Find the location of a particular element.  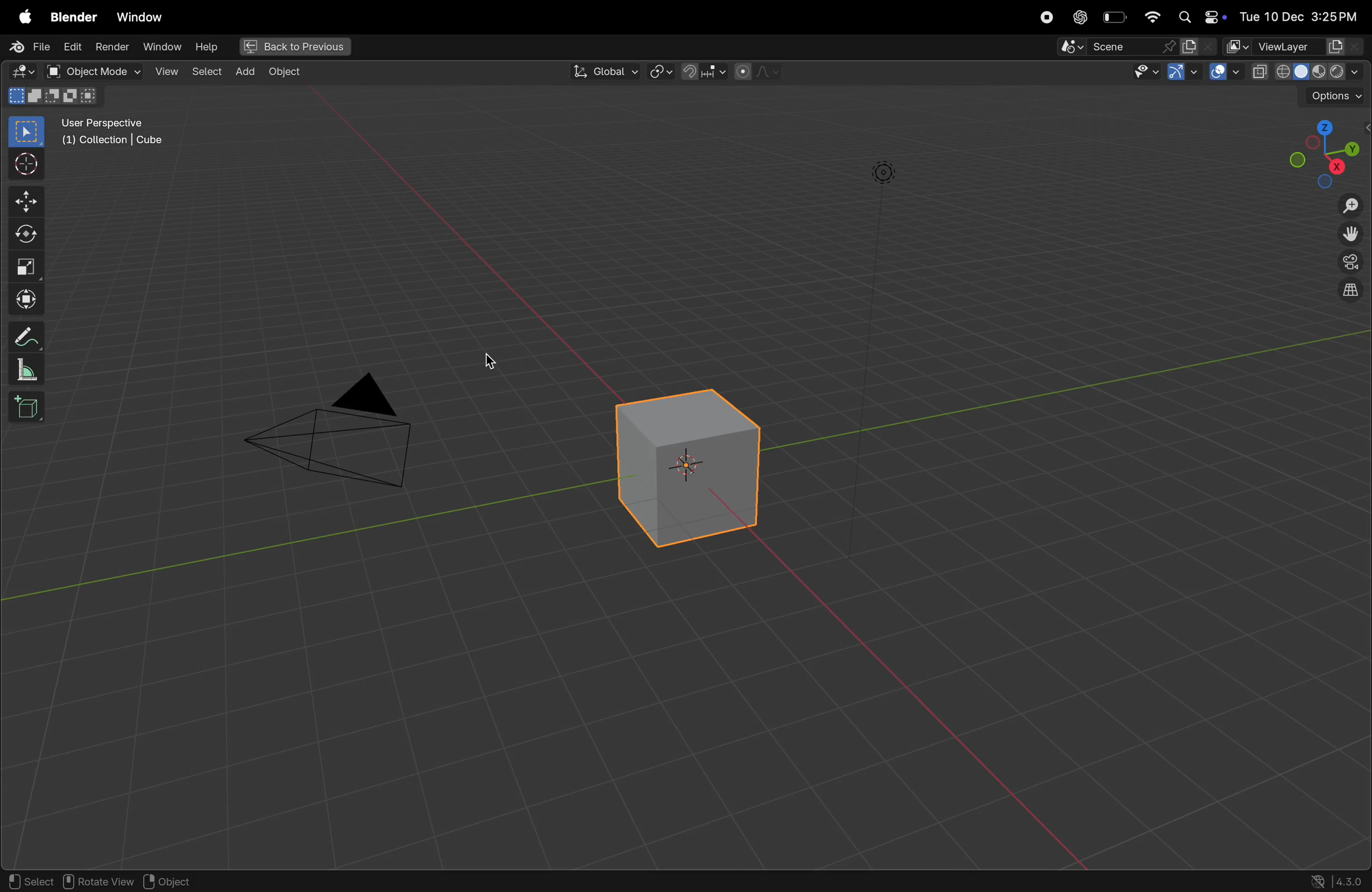

Blender is located at coordinates (71, 16).